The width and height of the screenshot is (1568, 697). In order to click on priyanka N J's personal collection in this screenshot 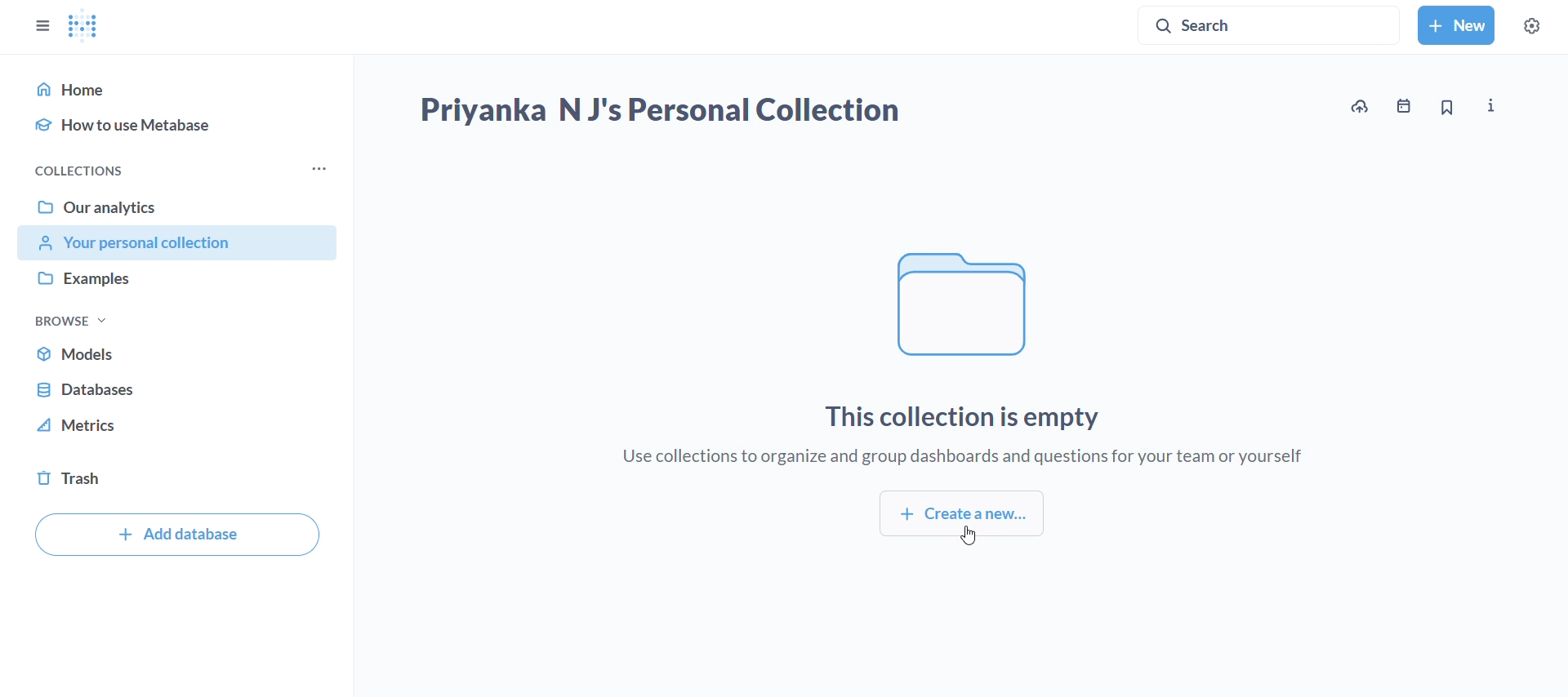, I will do `click(658, 112)`.